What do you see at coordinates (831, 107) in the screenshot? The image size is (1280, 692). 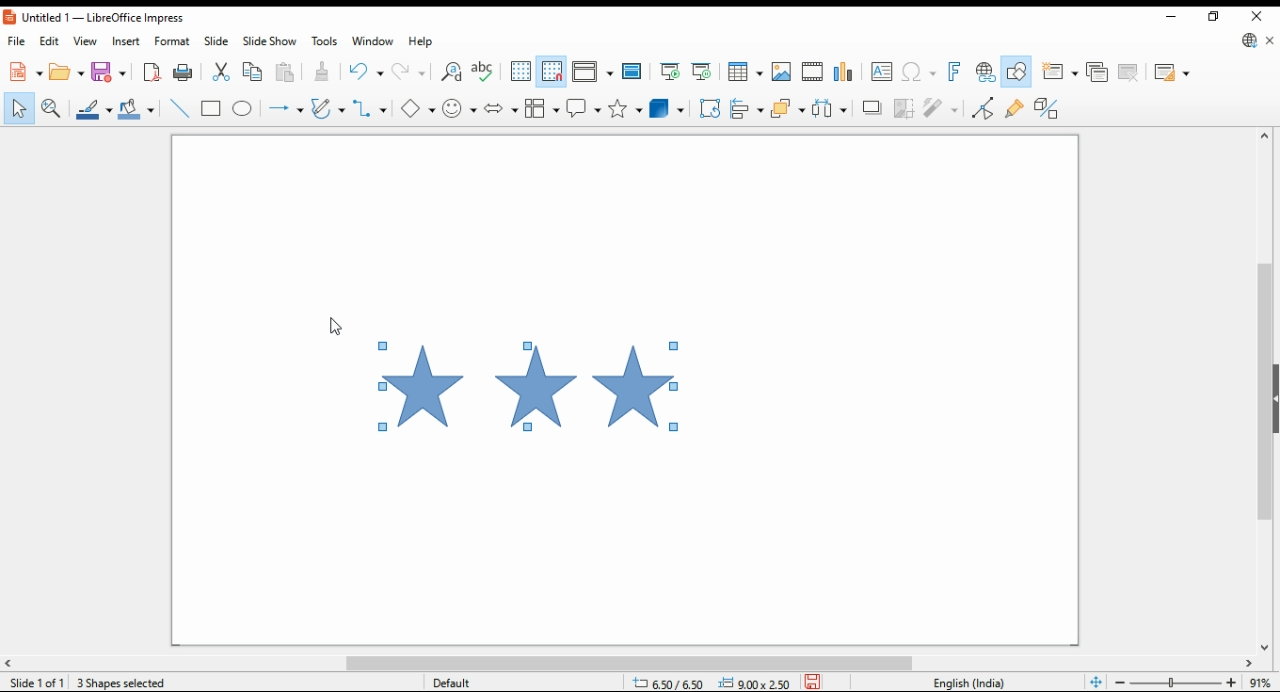 I see `select at least three objects to distribute` at bounding box center [831, 107].